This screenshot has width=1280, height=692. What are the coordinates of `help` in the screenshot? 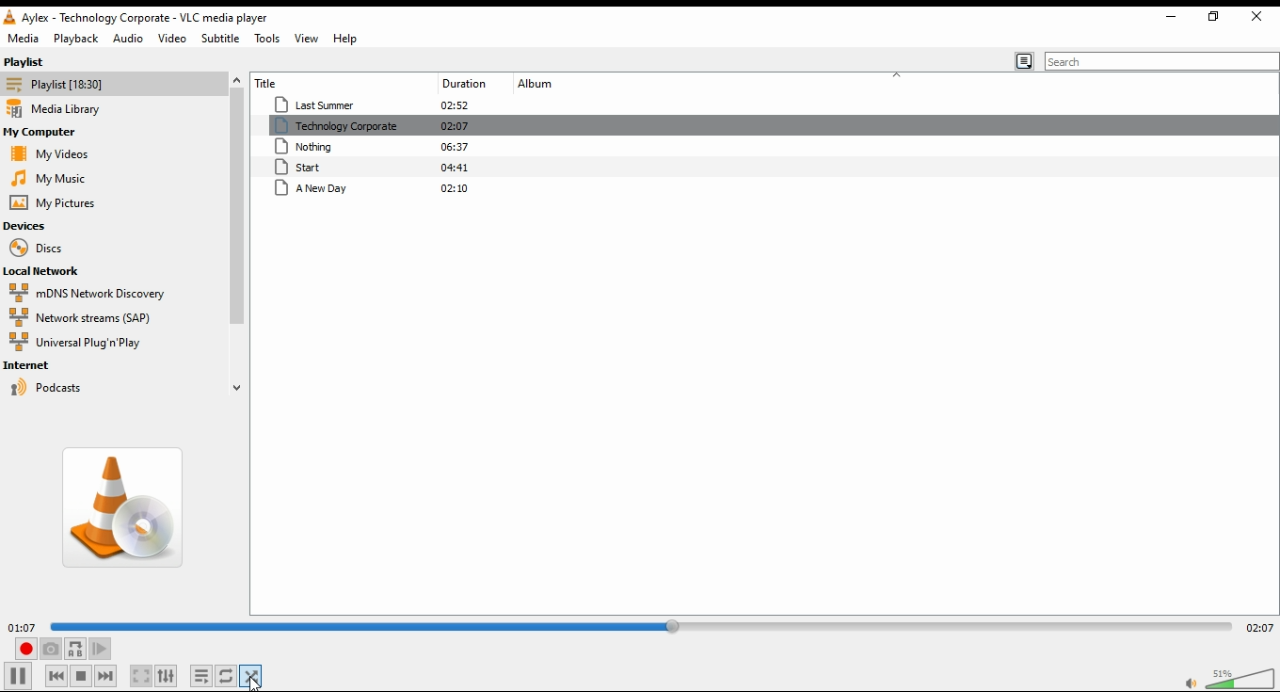 It's located at (348, 38).